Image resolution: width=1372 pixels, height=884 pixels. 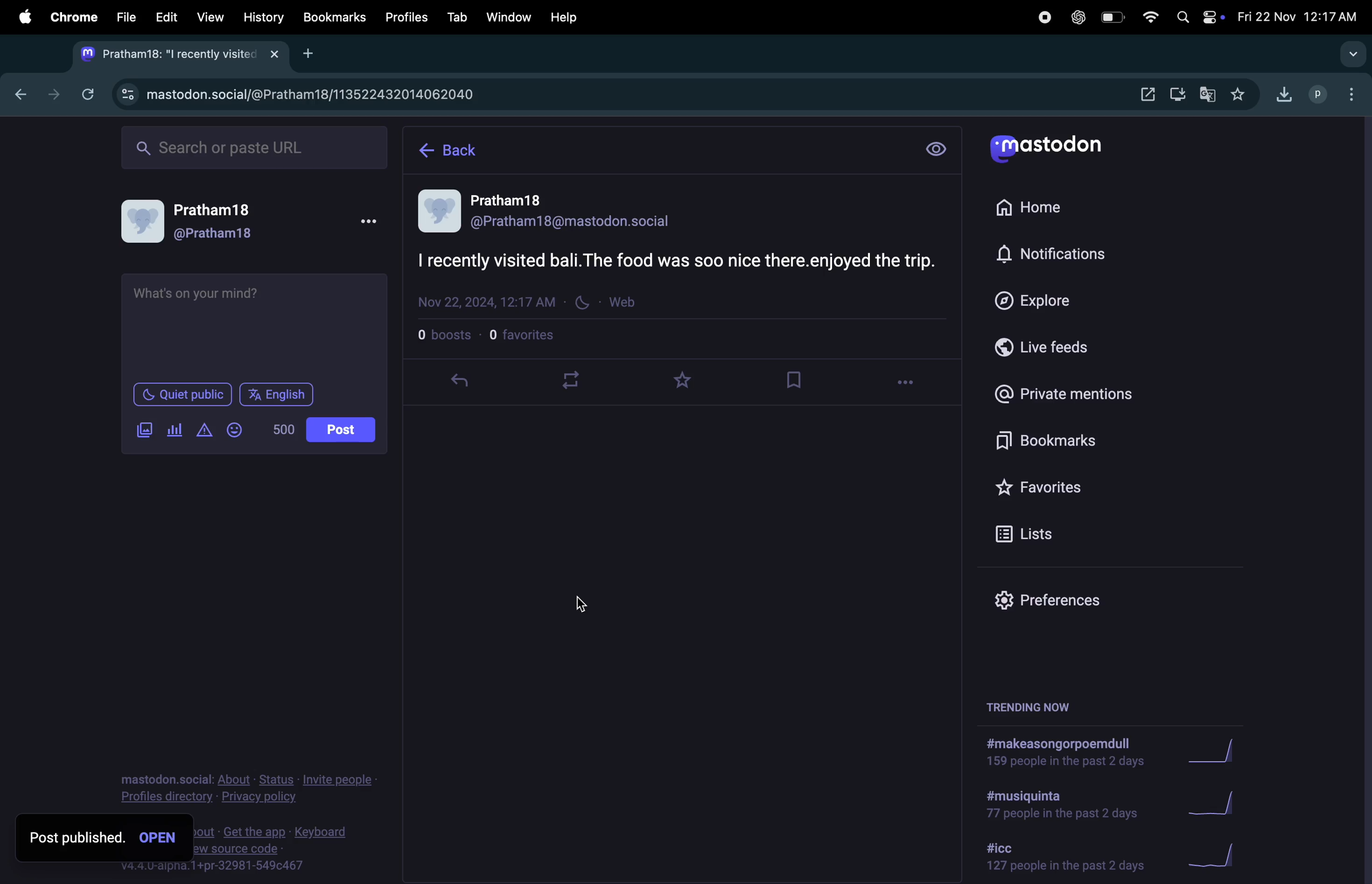 What do you see at coordinates (253, 222) in the screenshot?
I see `user profile` at bounding box center [253, 222].